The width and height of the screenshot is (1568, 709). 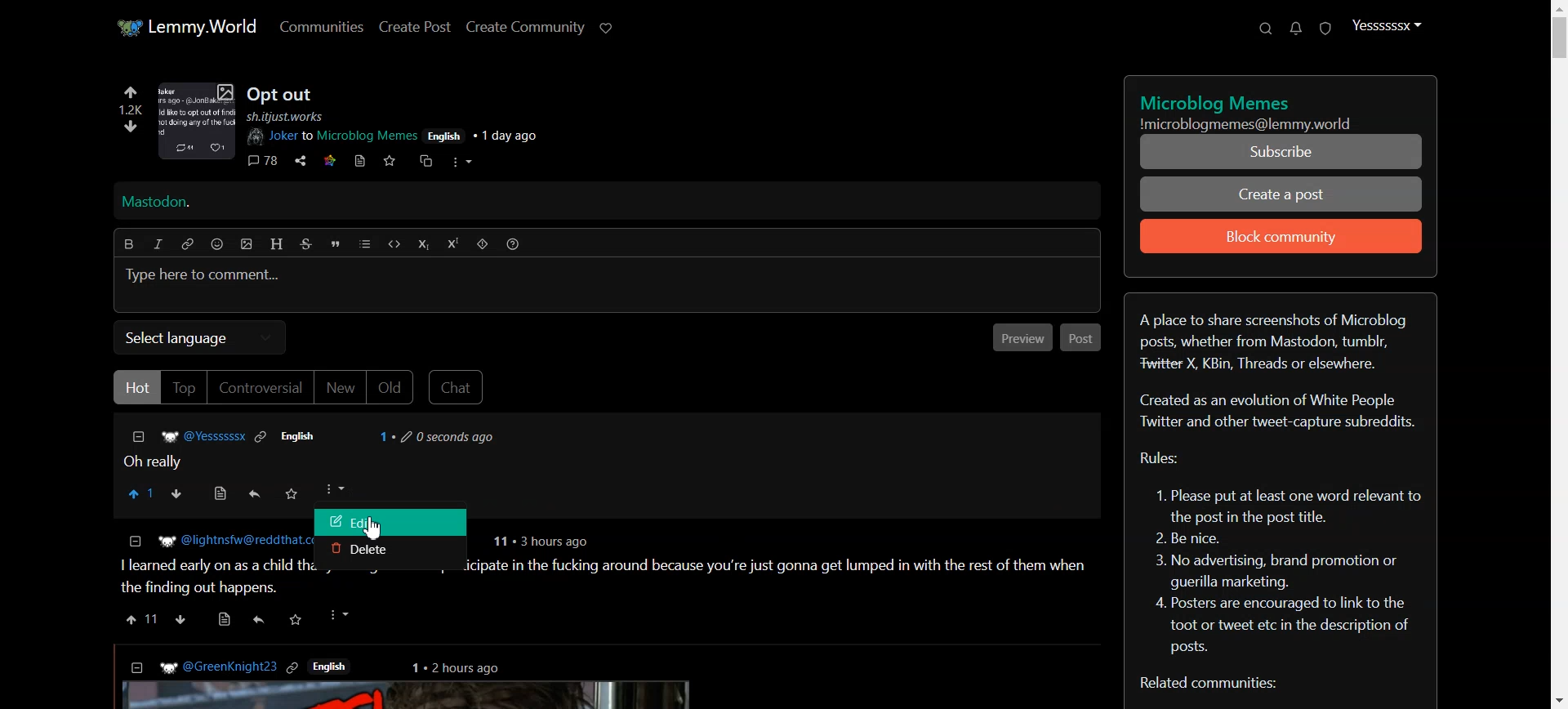 What do you see at coordinates (608, 29) in the screenshot?
I see `Support Lemmy` at bounding box center [608, 29].